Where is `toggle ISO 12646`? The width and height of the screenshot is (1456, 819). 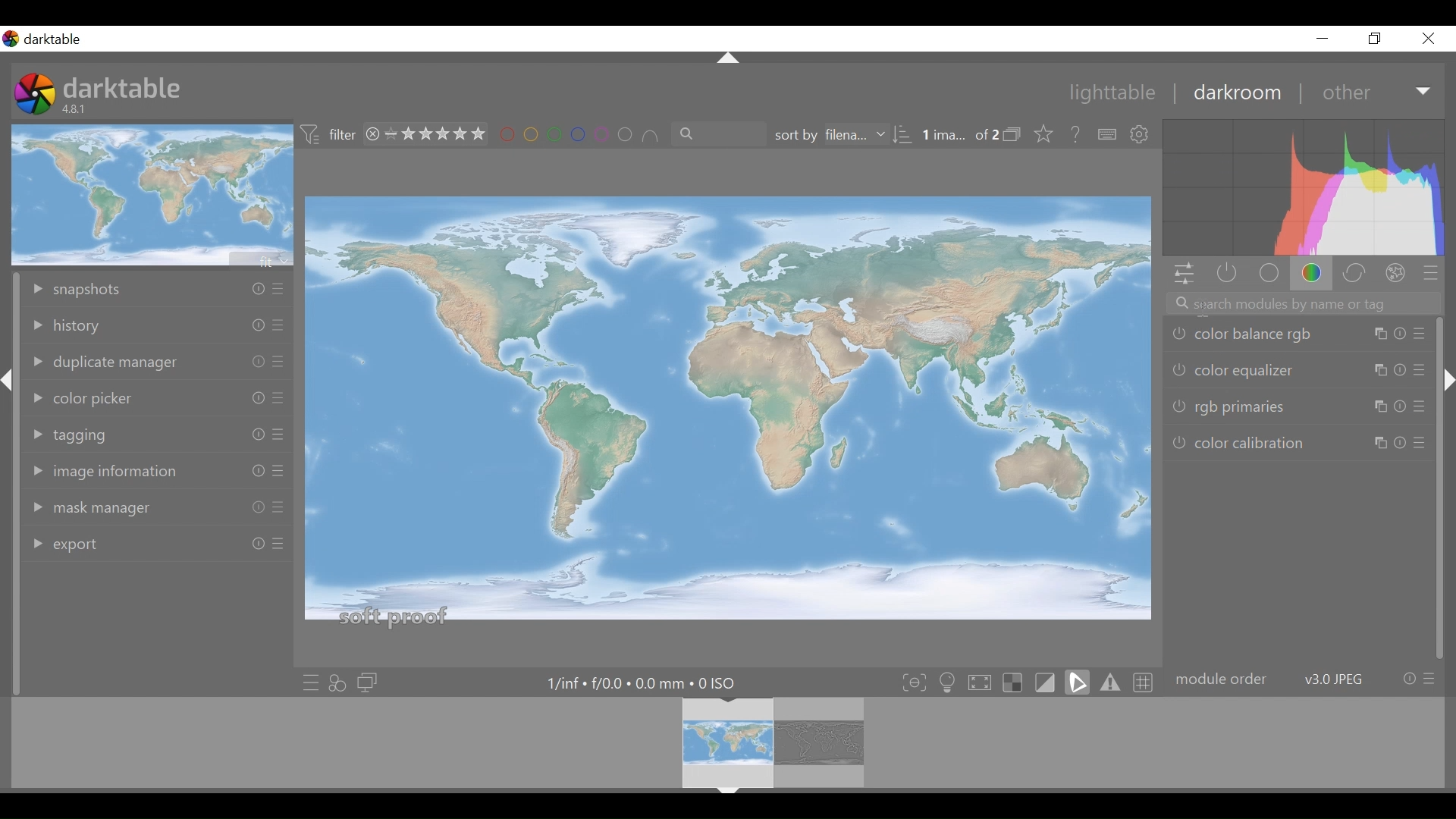 toggle ISO 12646 is located at coordinates (948, 680).